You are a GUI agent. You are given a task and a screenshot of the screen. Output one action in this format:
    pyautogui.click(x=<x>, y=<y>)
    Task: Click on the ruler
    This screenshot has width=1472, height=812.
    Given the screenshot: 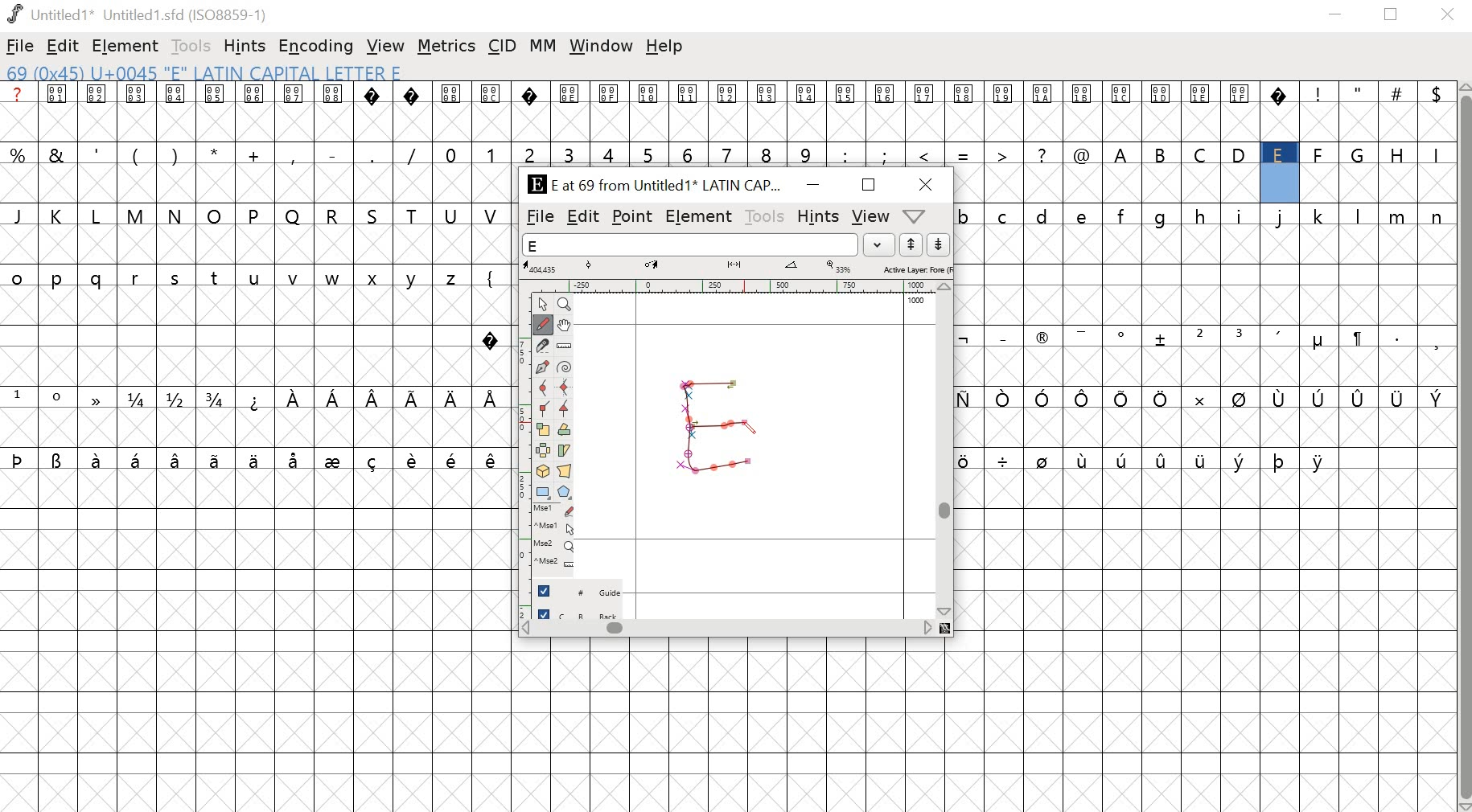 What is the action you would take?
    pyautogui.click(x=731, y=285)
    